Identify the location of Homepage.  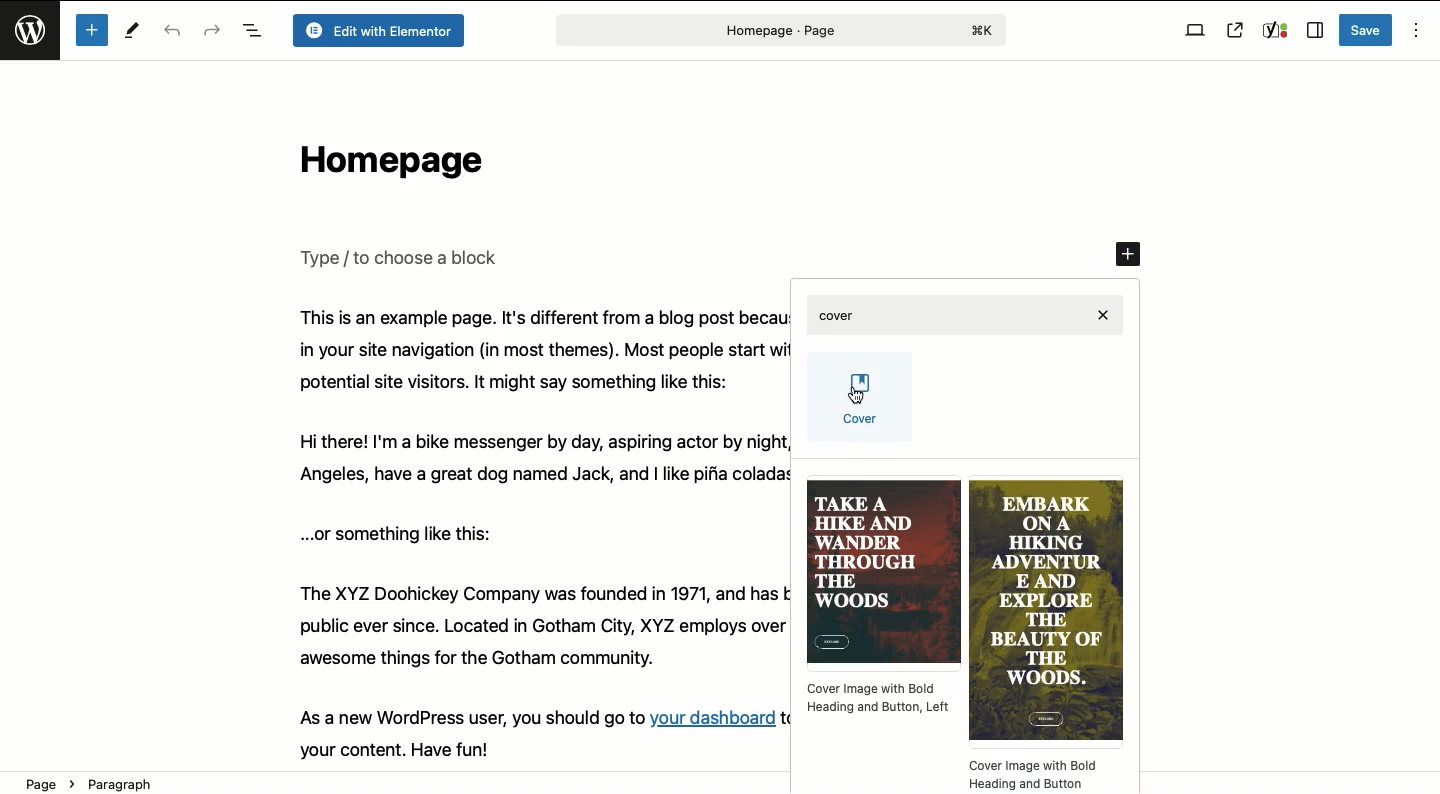
(386, 165).